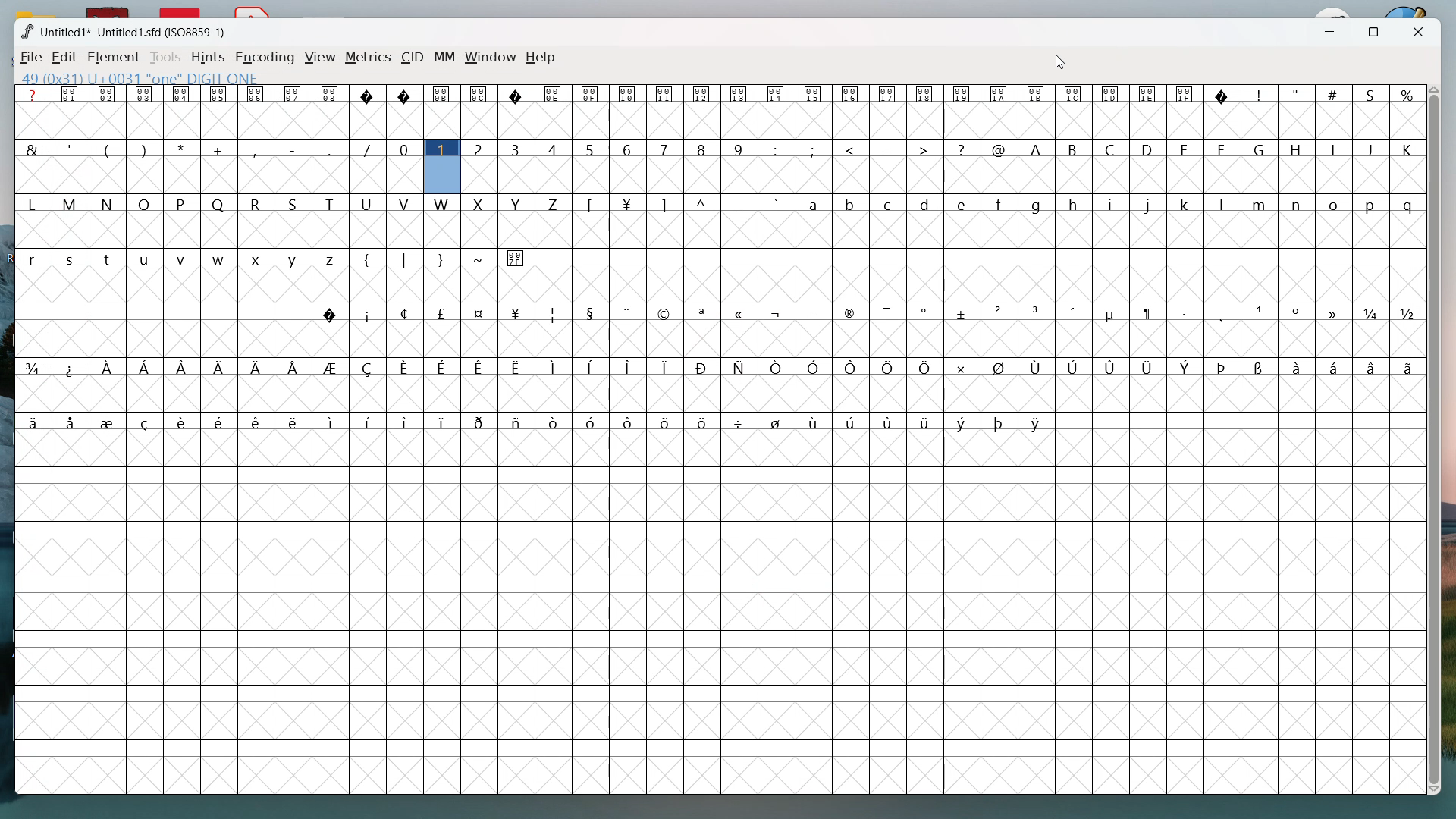 The height and width of the screenshot is (819, 1456). Describe the element at coordinates (594, 367) in the screenshot. I see `symbol` at that location.